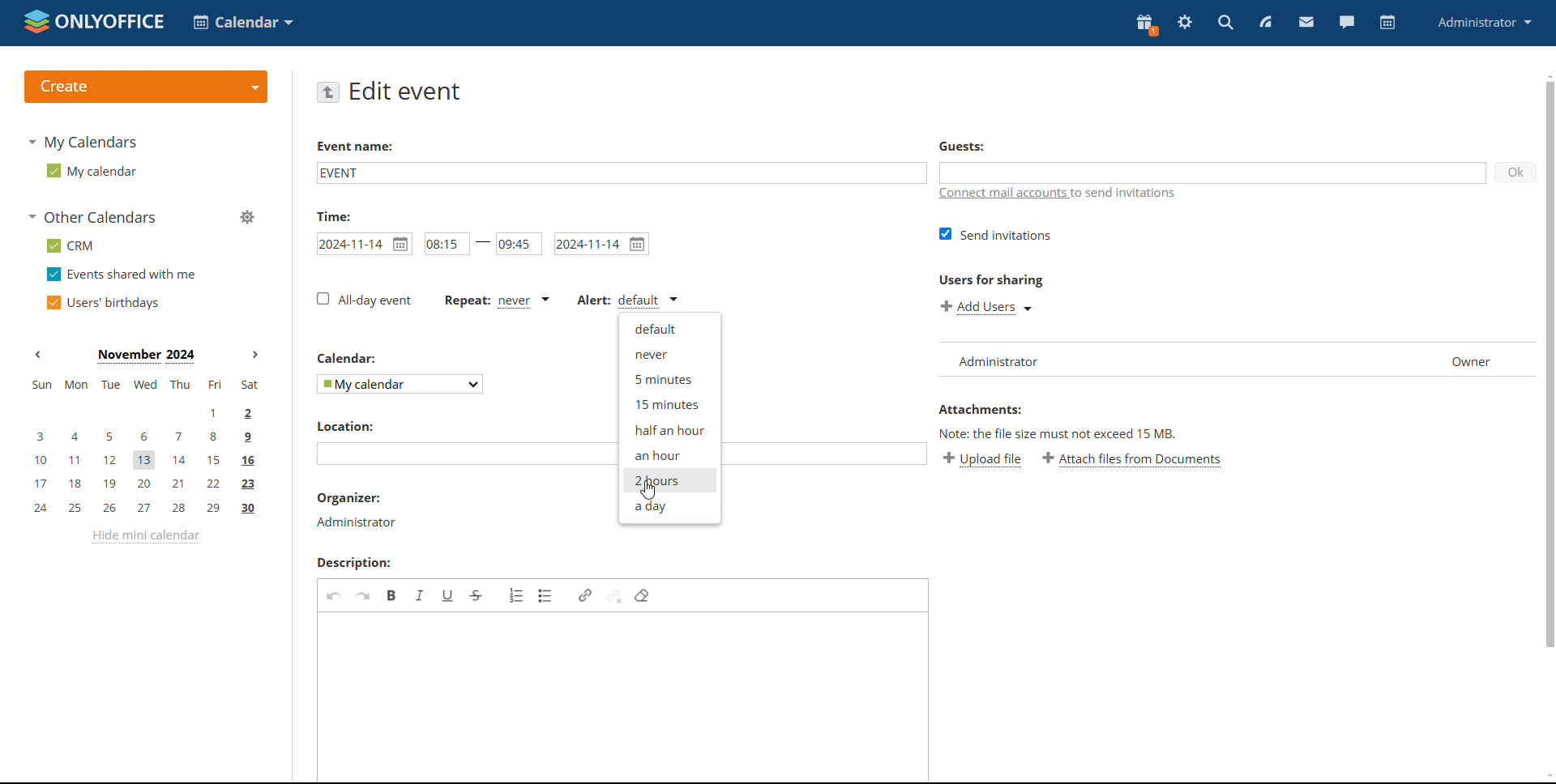 The image size is (1556, 784). Describe the element at coordinates (359, 147) in the screenshot. I see `event name label` at that location.